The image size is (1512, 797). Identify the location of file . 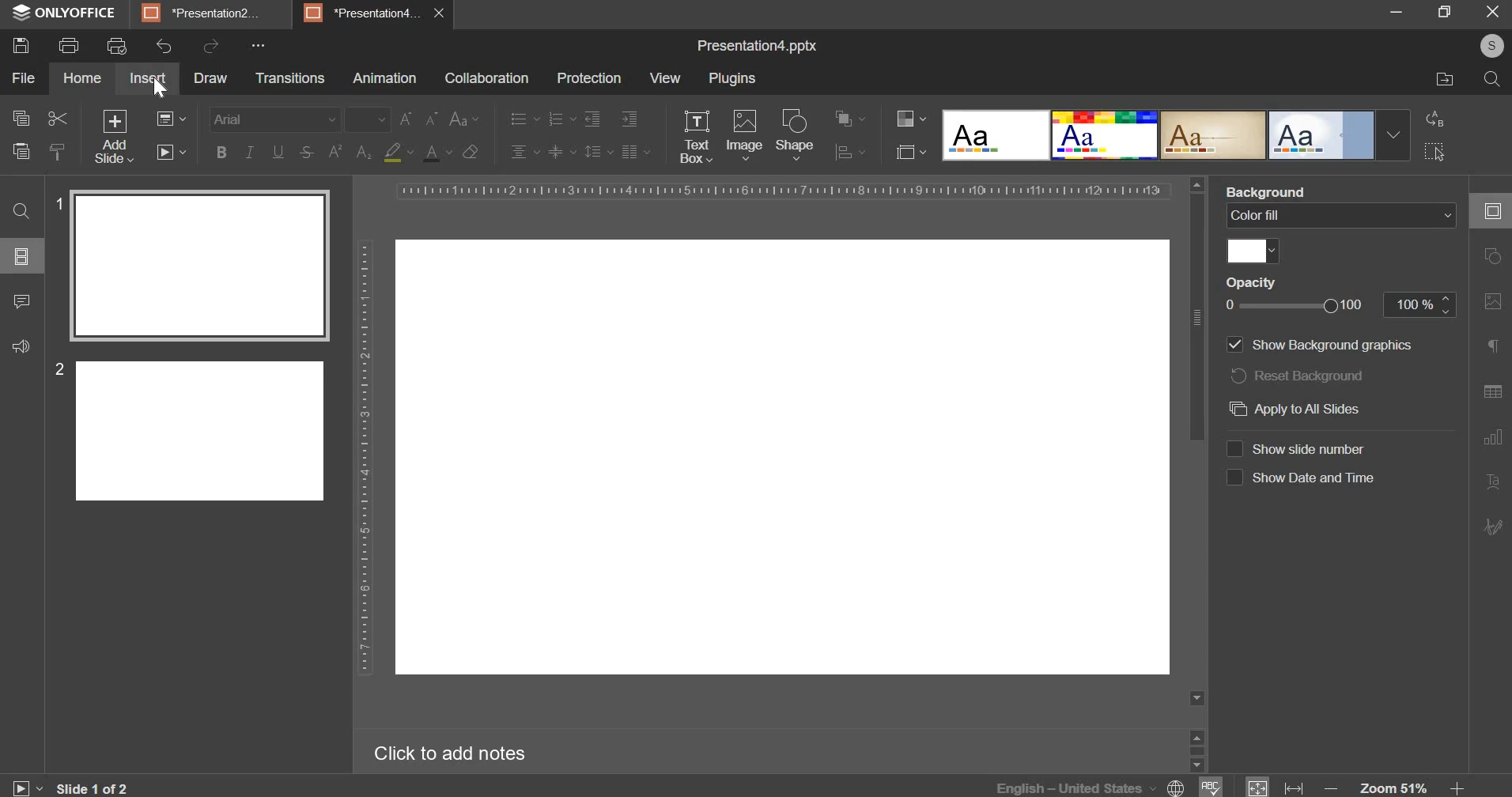
(23, 78).